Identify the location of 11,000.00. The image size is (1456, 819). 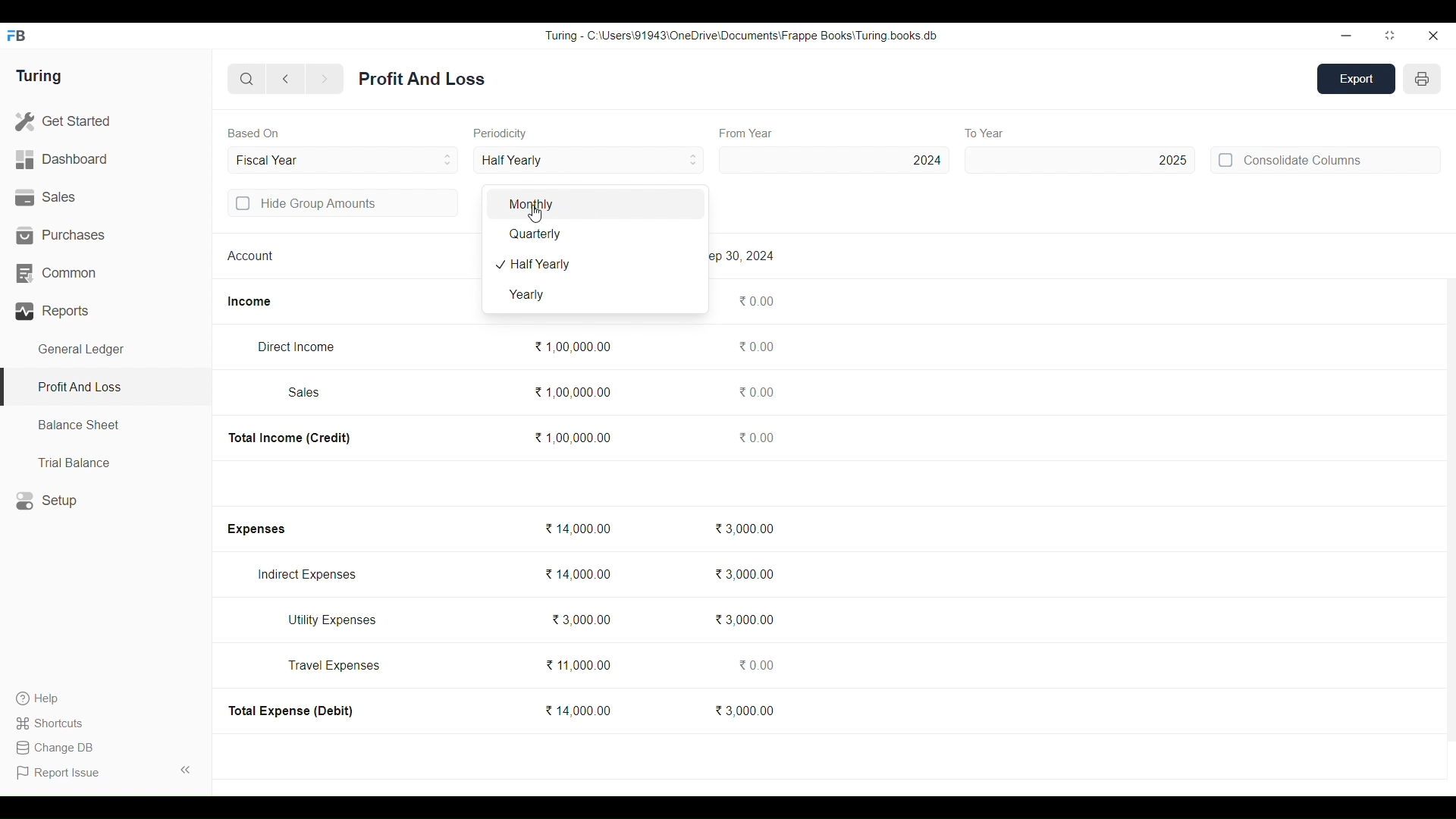
(579, 665).